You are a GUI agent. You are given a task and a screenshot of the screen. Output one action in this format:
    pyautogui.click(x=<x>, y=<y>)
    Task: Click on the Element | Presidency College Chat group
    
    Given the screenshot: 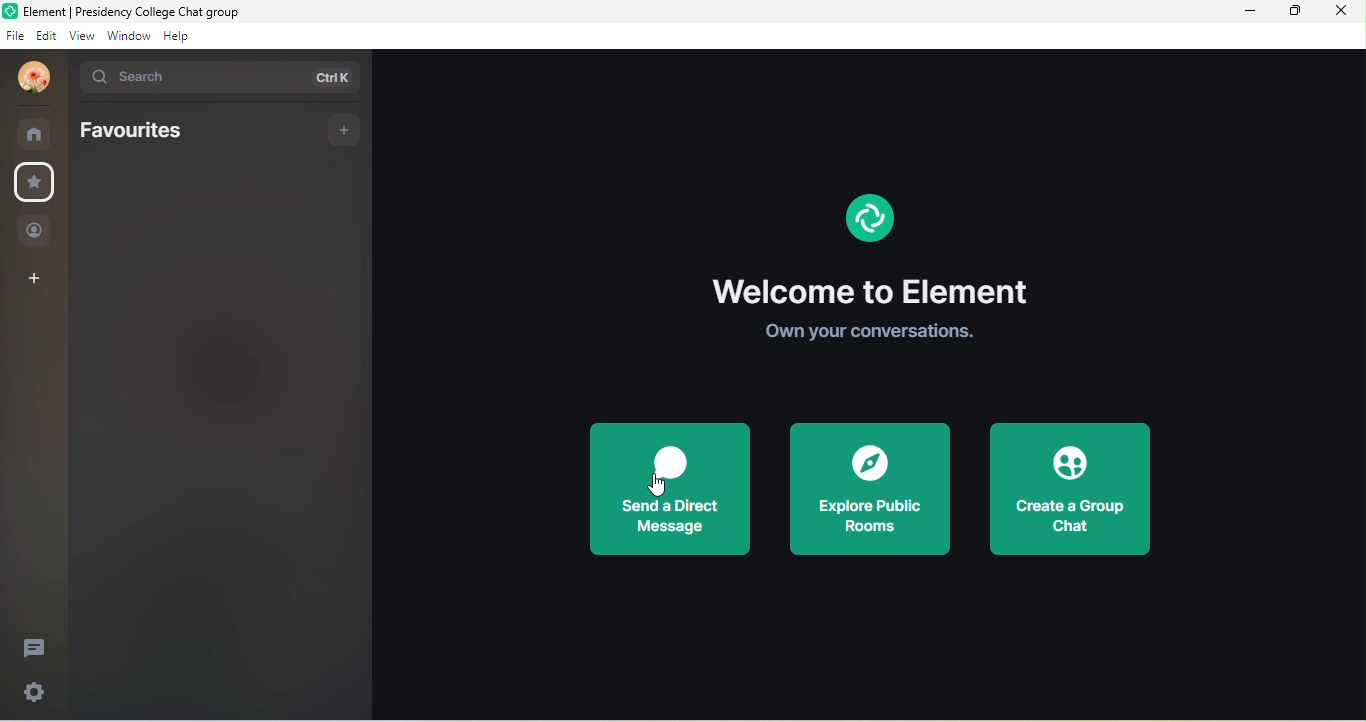 What is the action you would take?
    pyautogui.click(x=134, y=12)
    